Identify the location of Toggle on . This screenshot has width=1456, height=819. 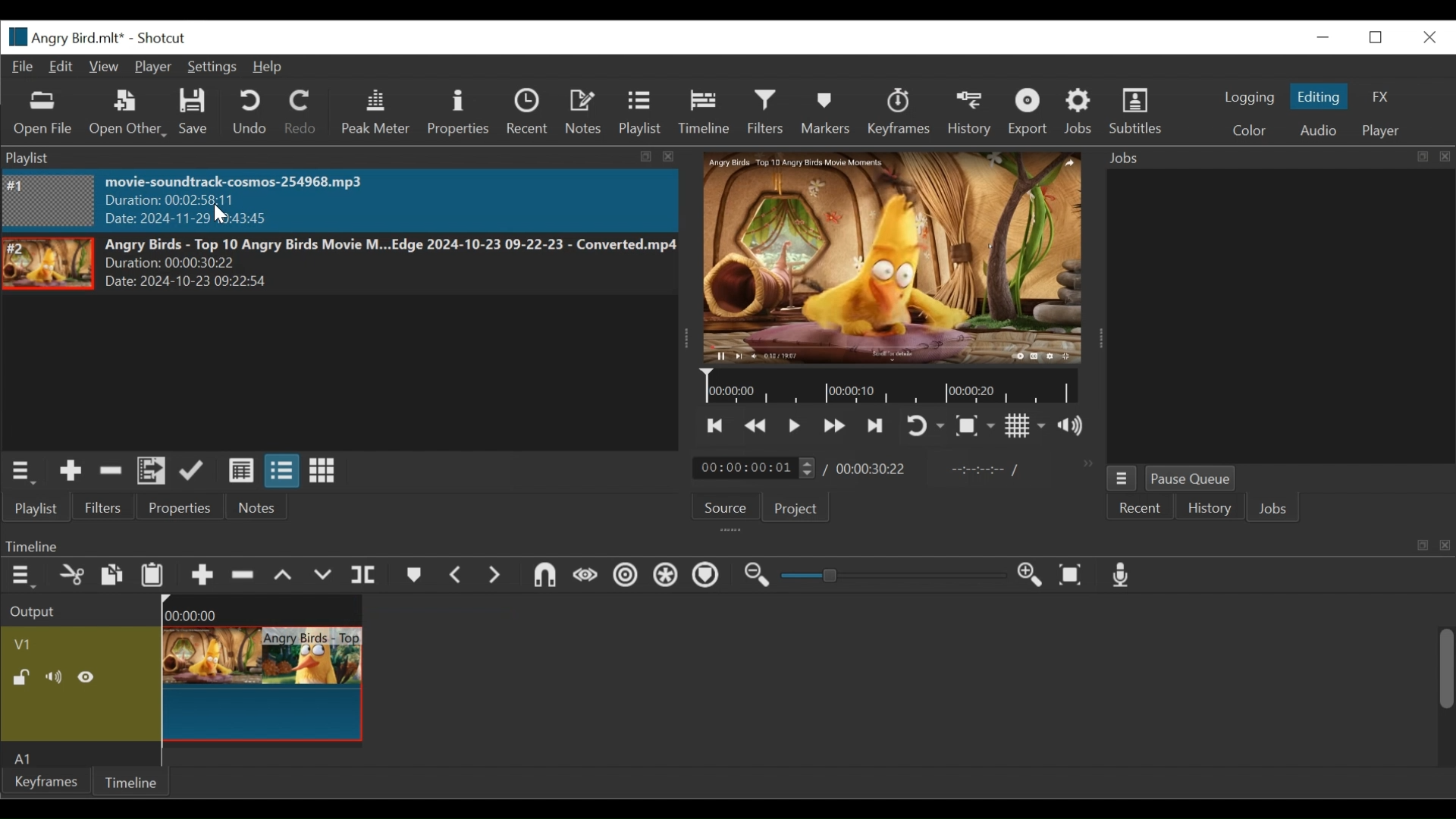
(927, 425).